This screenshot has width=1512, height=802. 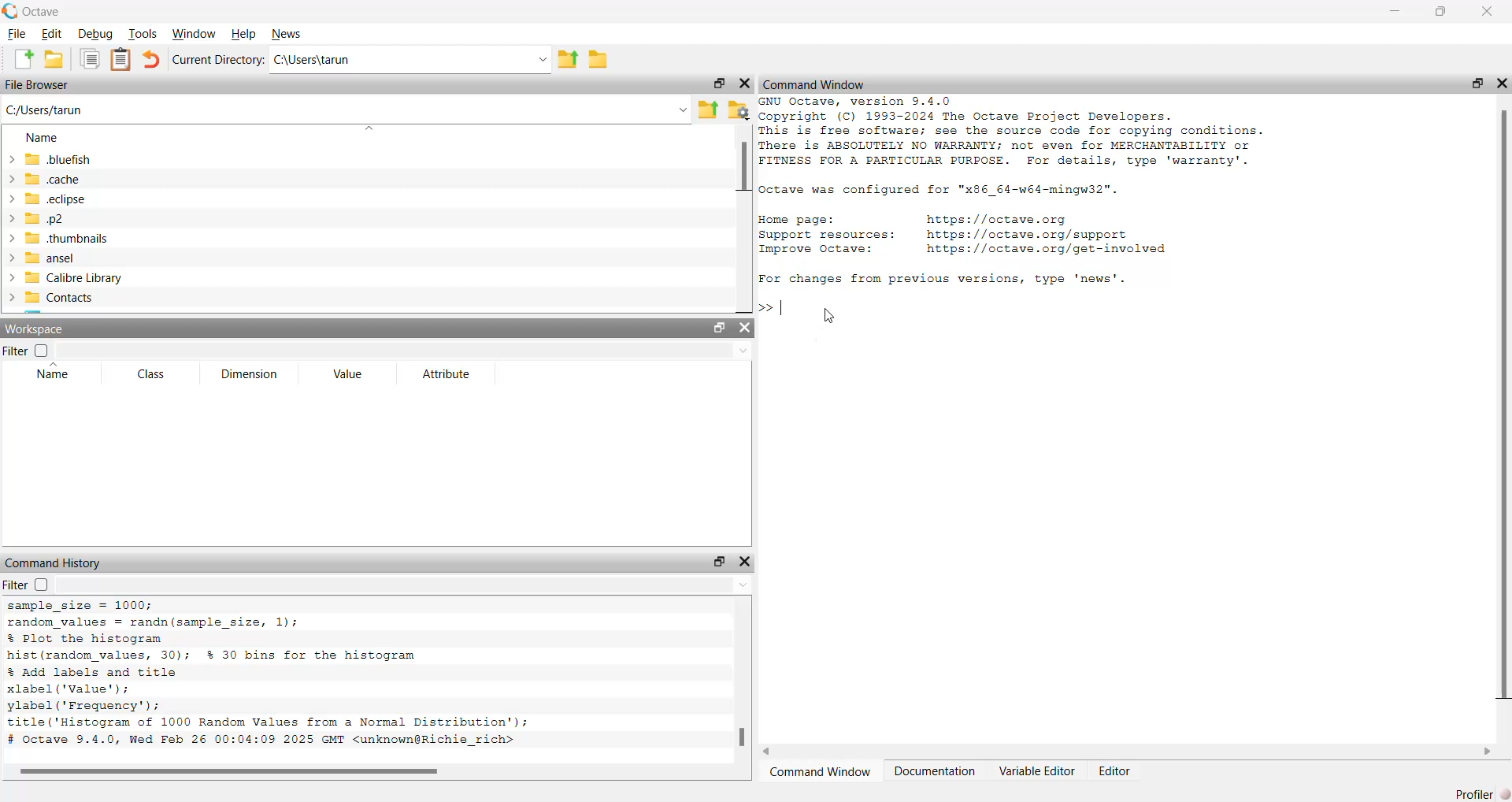 What do you see at coordinates (38, 330) in the screenshot?
I see `Workspace` at bounding box center [38, 330].